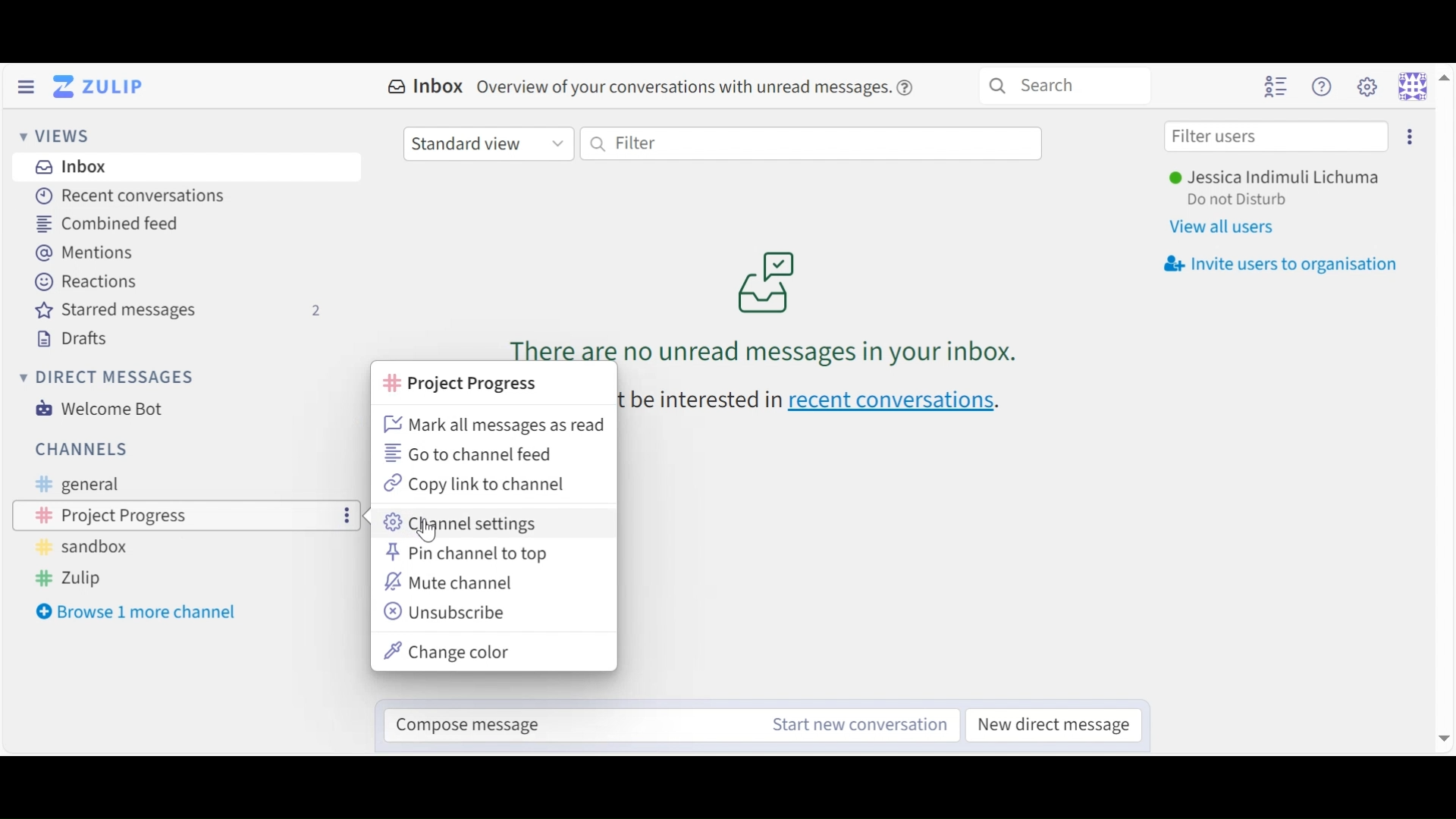 This screenshot has height=819, width=1456. I want to click on Username, so click(1277, 179).